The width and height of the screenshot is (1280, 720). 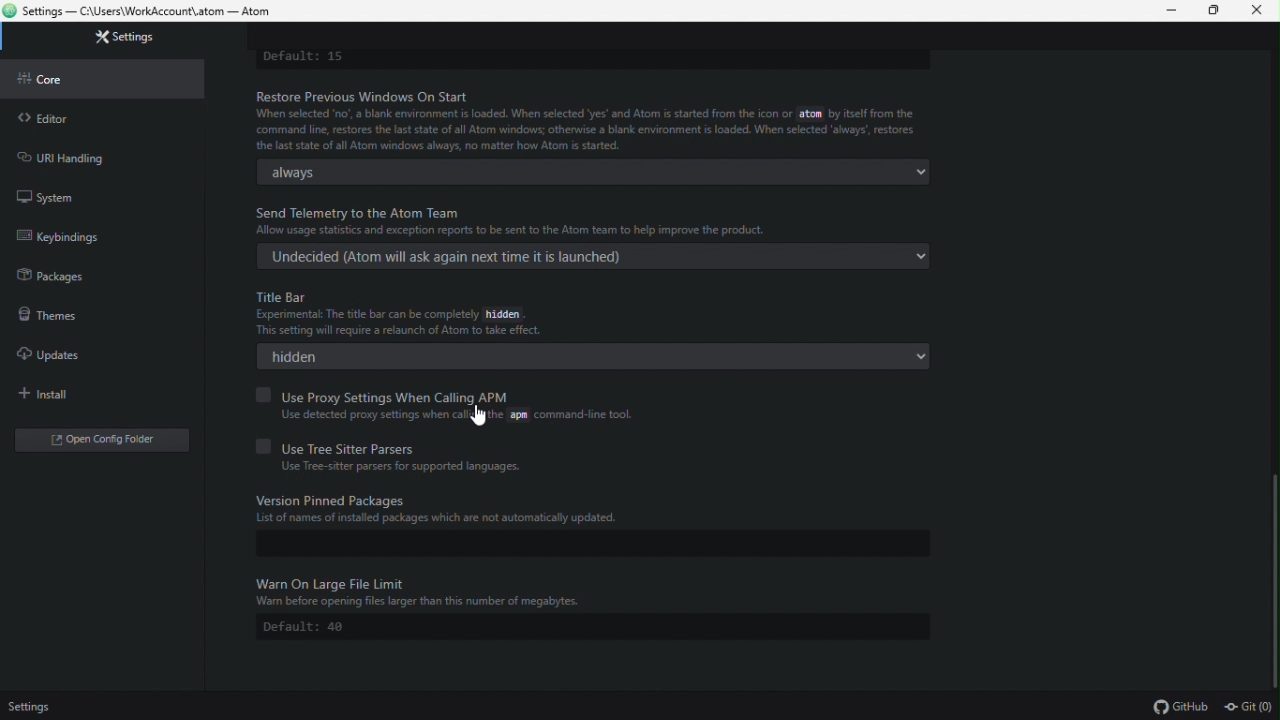 I want to click on editor, so click(x=106, y=114).